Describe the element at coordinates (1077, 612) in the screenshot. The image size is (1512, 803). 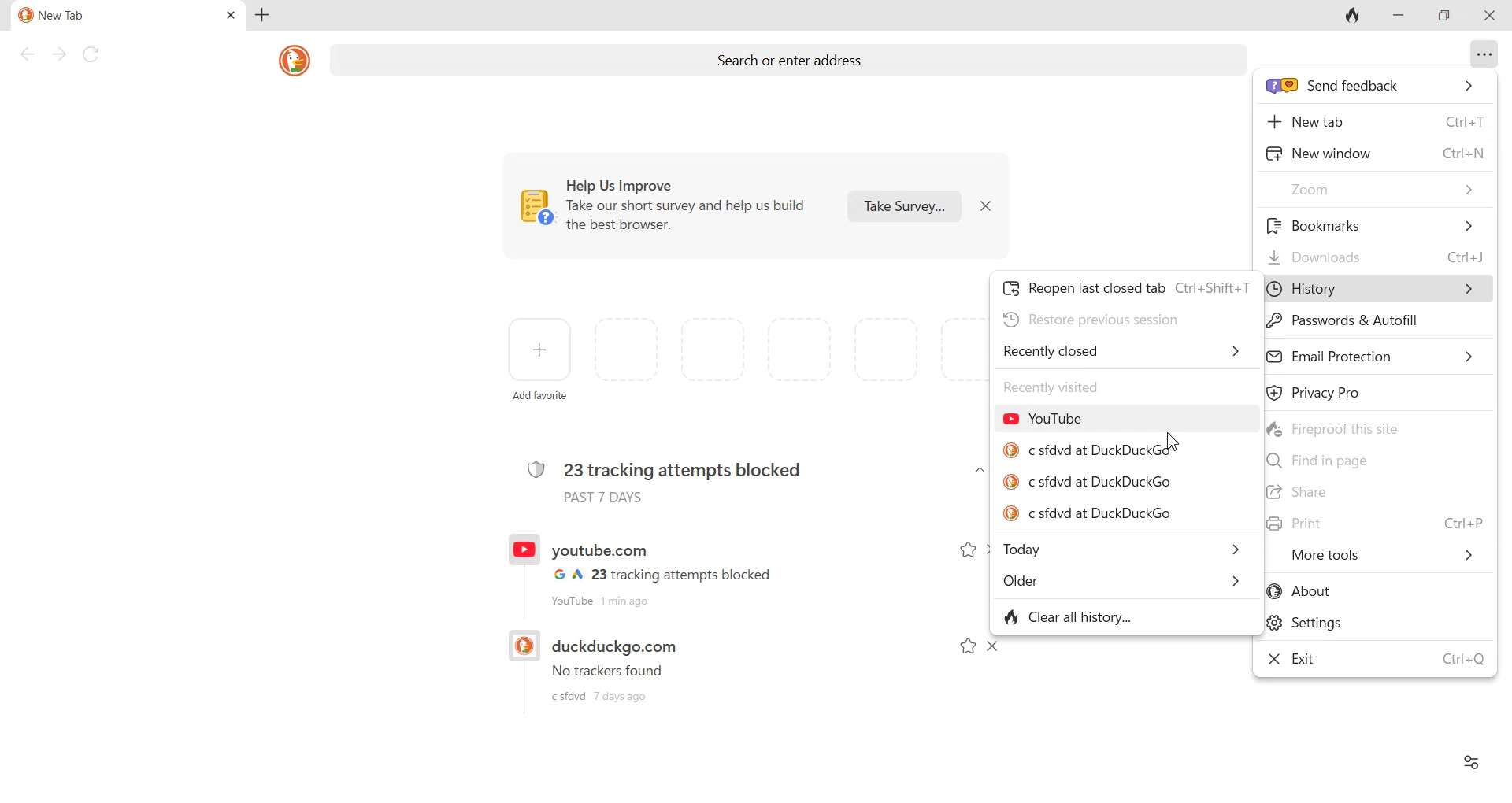
I see `Clear all history` at that location.